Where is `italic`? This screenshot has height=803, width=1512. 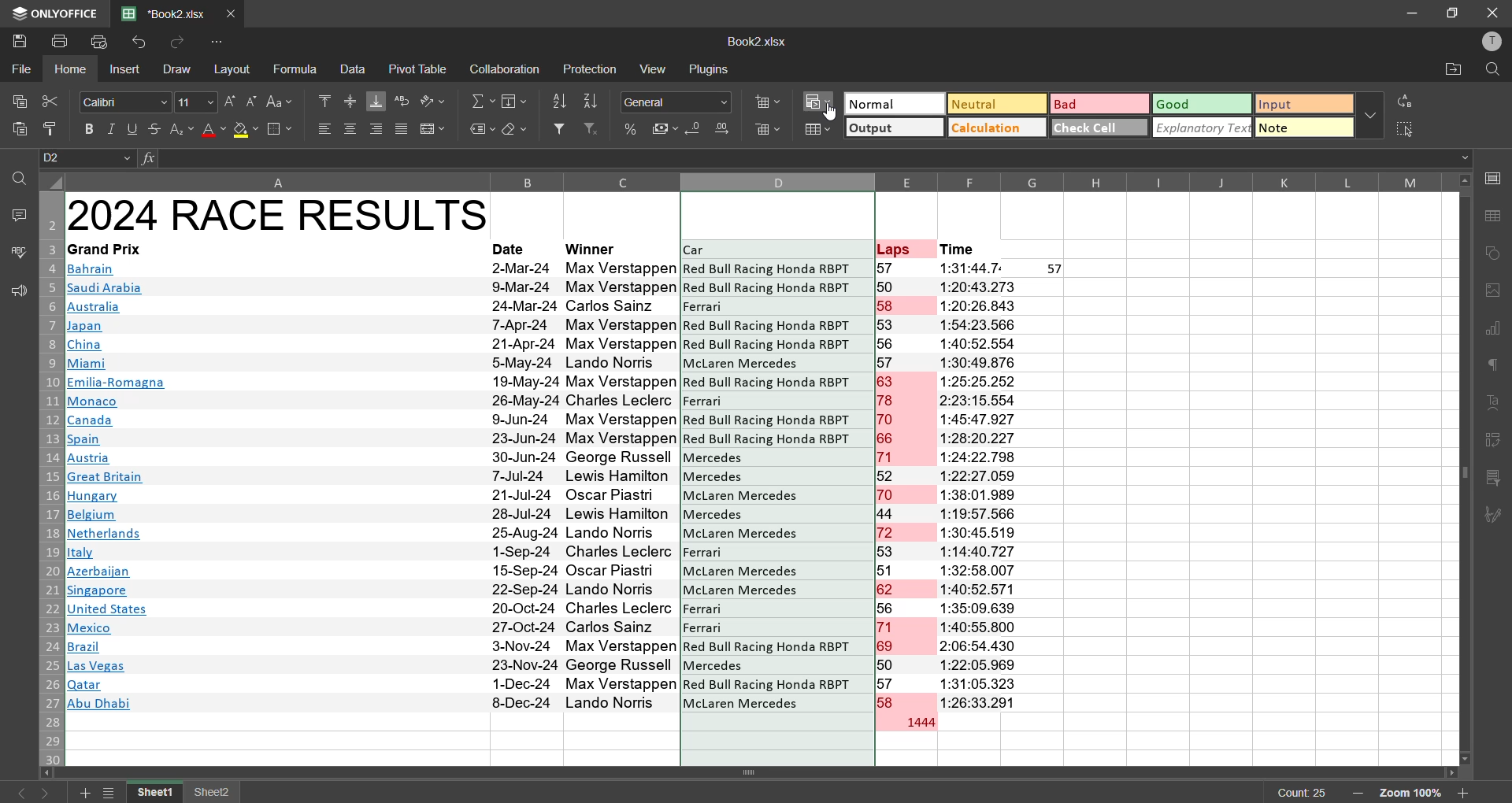
italic is located at coordinates (113, 129).